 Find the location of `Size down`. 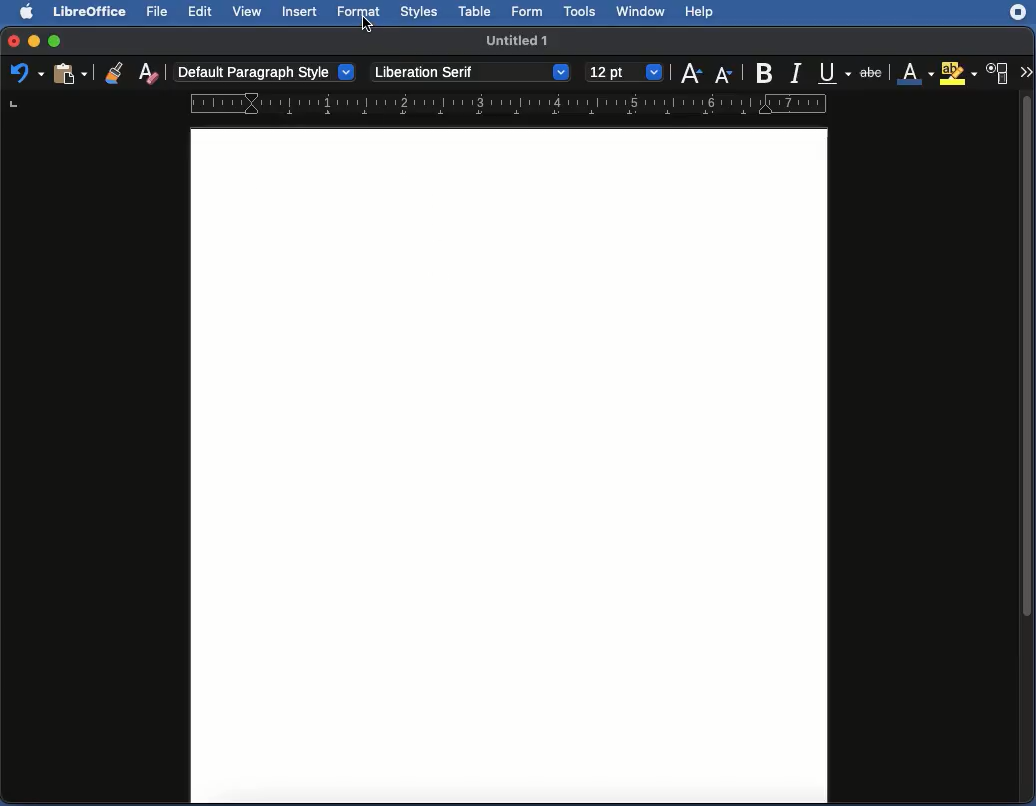

Size down is located at coordinates (725, 73).